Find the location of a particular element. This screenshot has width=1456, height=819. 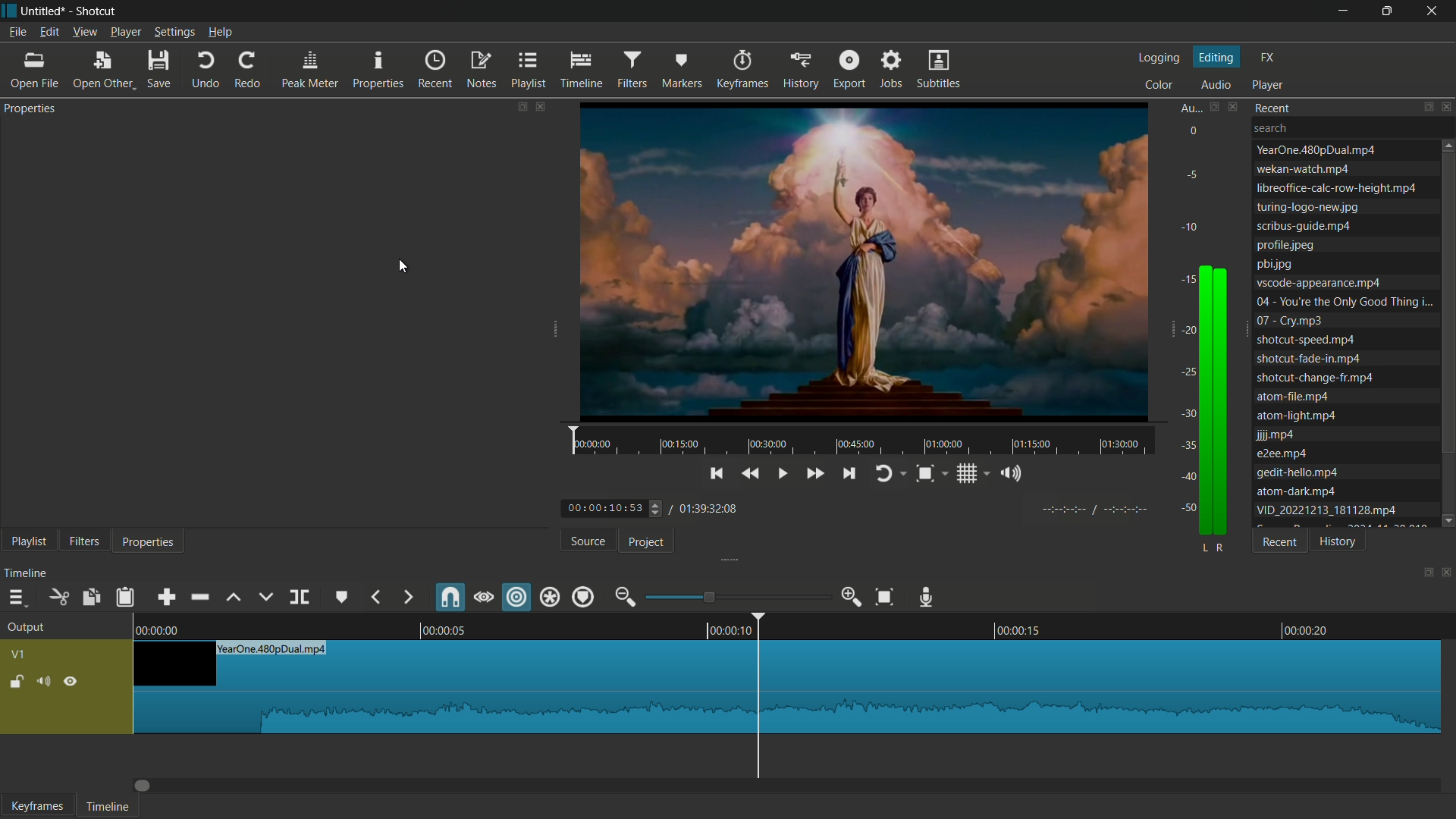

cut is located at coordinates (58, 598).